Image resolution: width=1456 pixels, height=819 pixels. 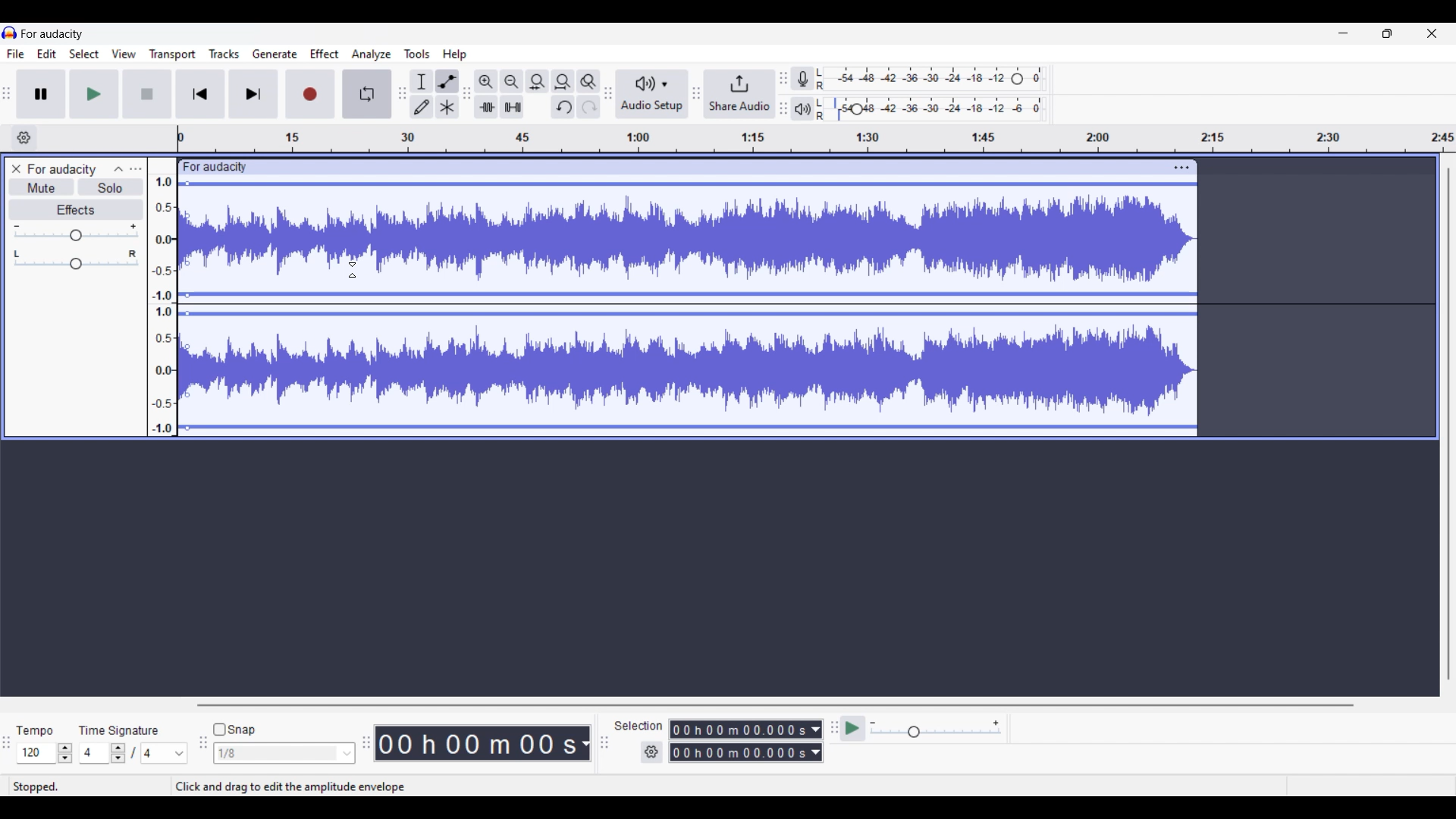 I want to click on click to move, so click(x=710, y=167).